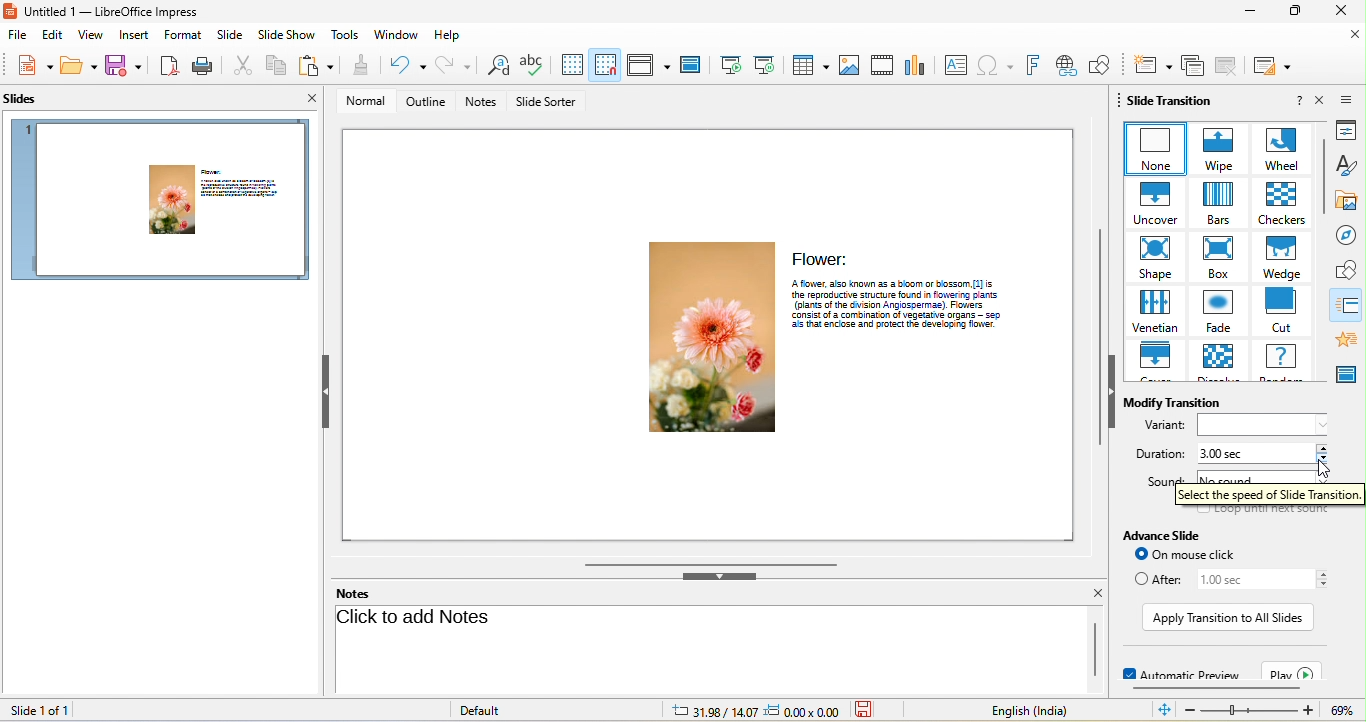 The height and width of the screenshot is (722, 1366). I want to click on slide transition, so click(1171, 100).